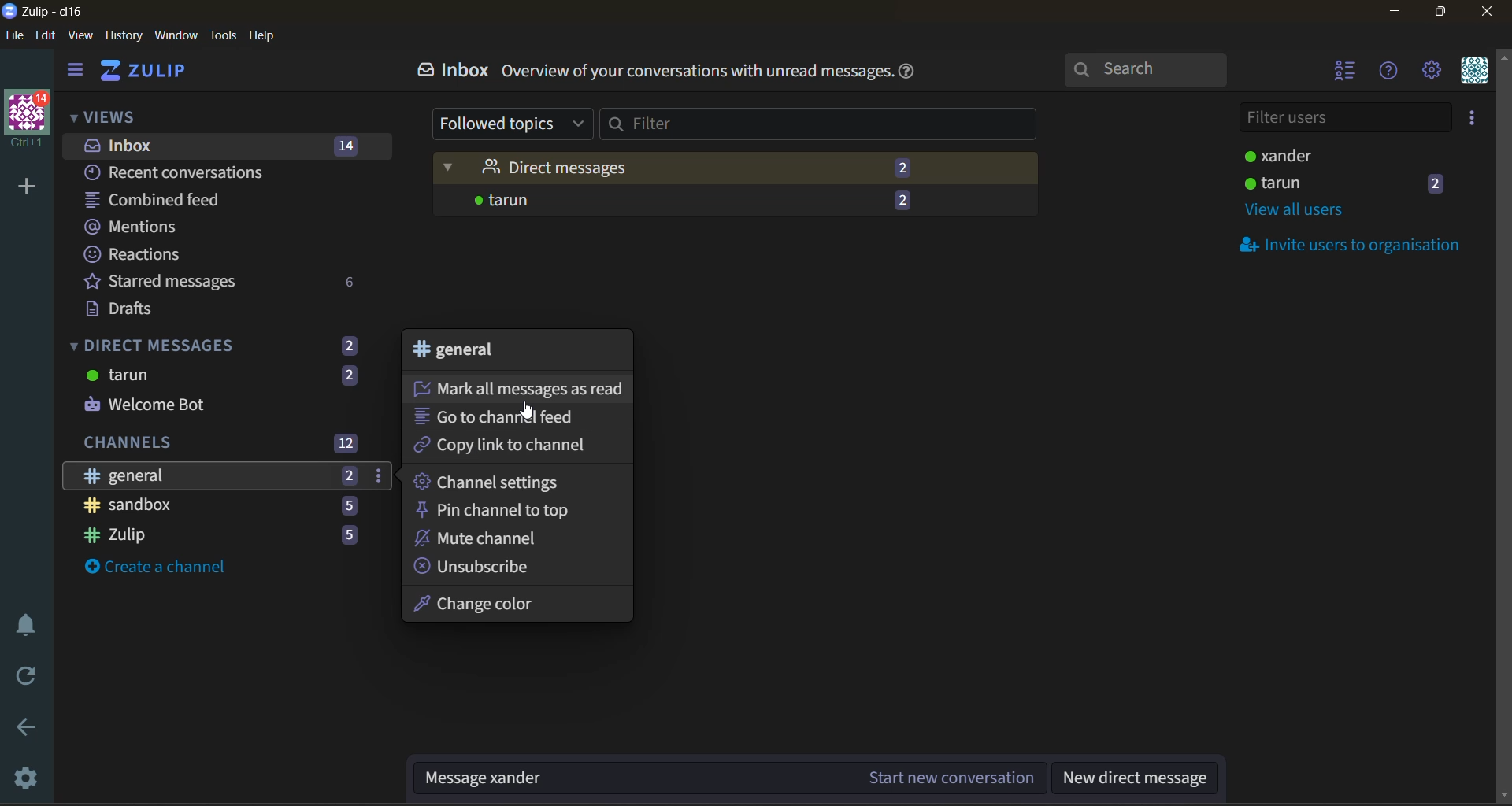 The image size is (1512, 806). I want to click on channels 12, so click(221, 445).